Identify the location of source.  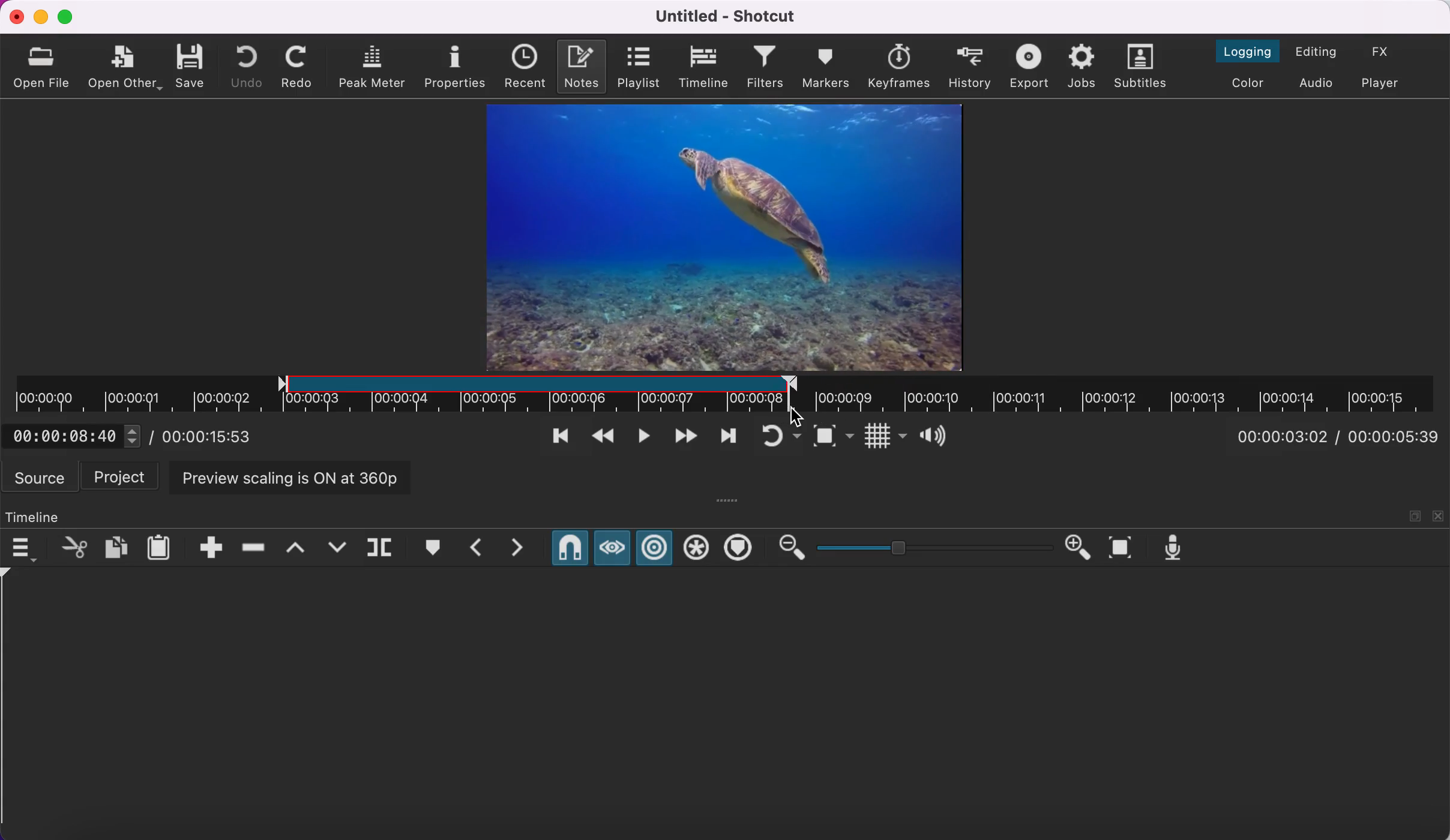
(39, 478).